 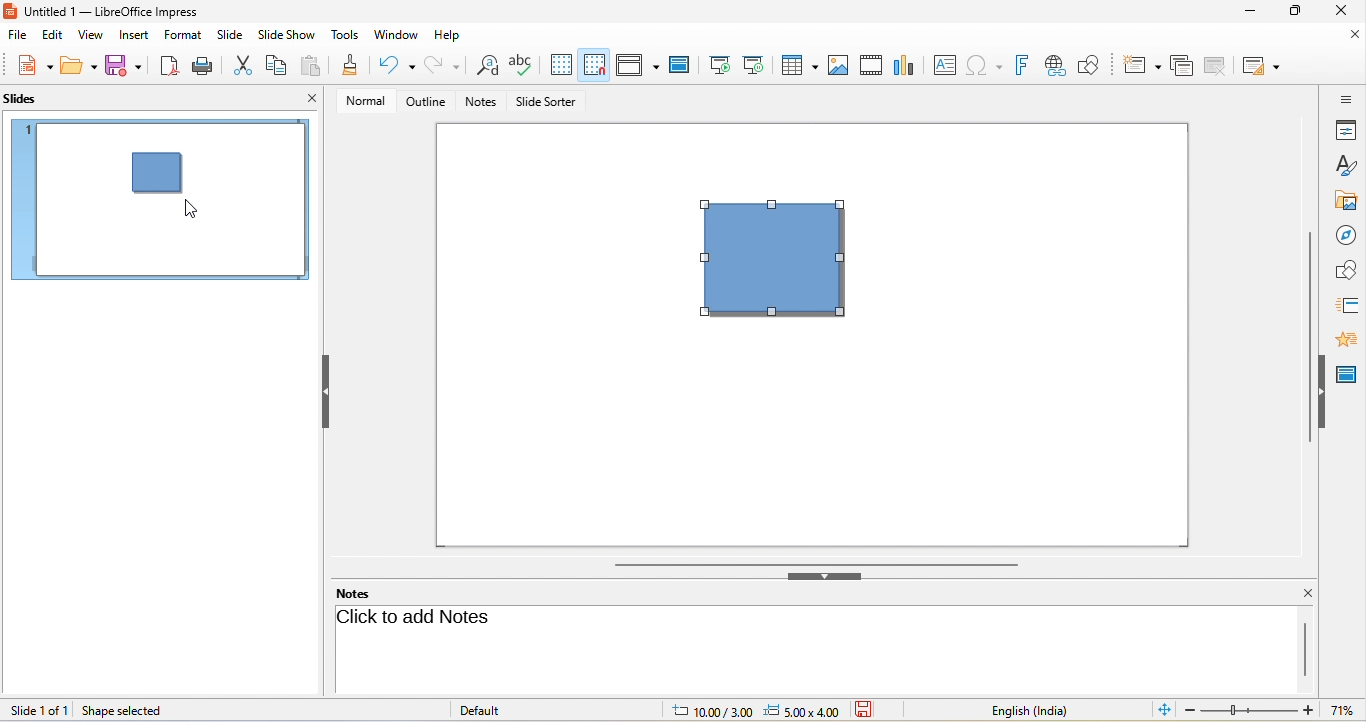 I want to click on Default, so click(x=496, y=710).